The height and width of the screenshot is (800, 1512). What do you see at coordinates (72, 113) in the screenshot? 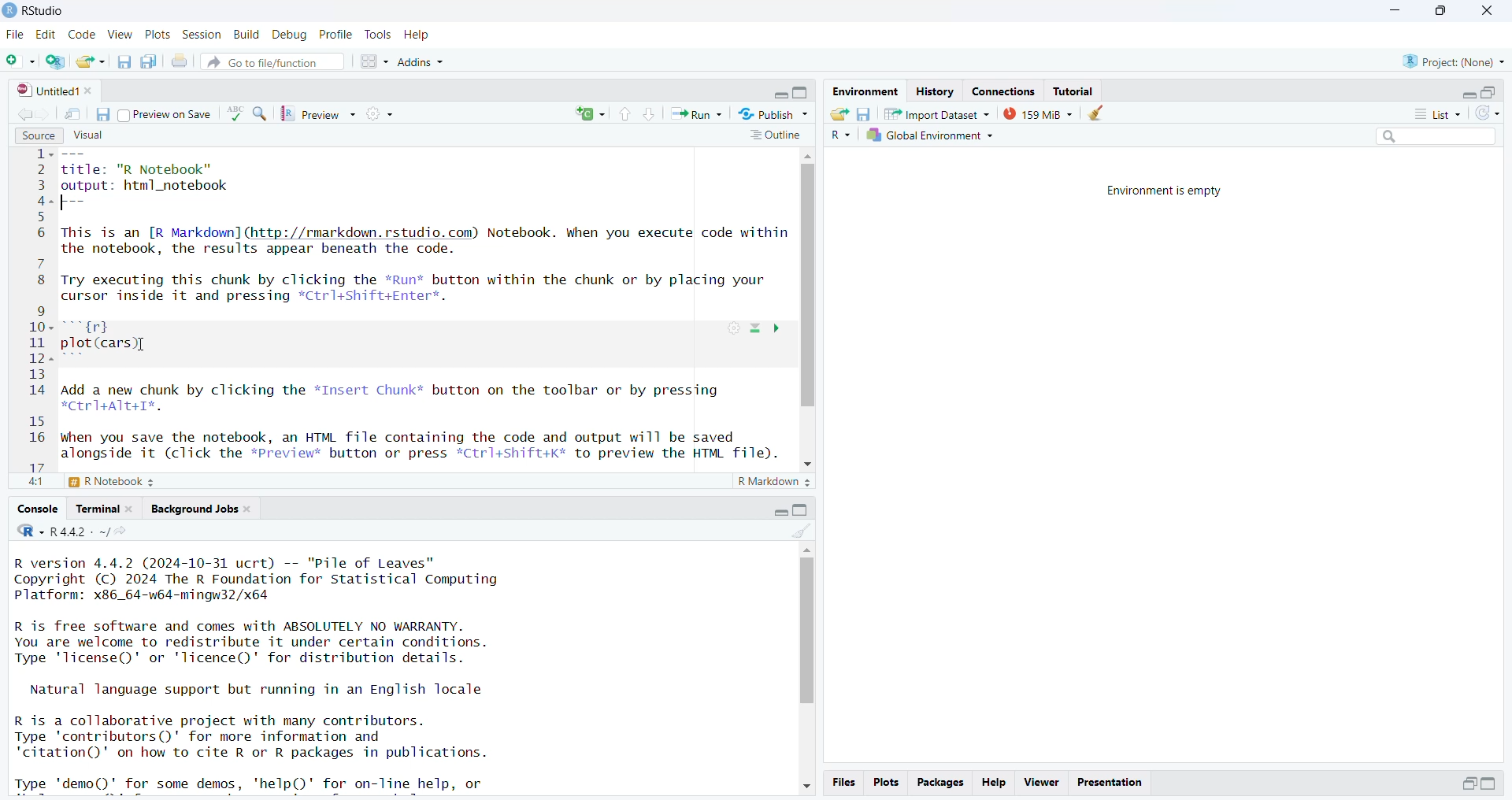
I see `show in new window` at bounding box center [72, 113].